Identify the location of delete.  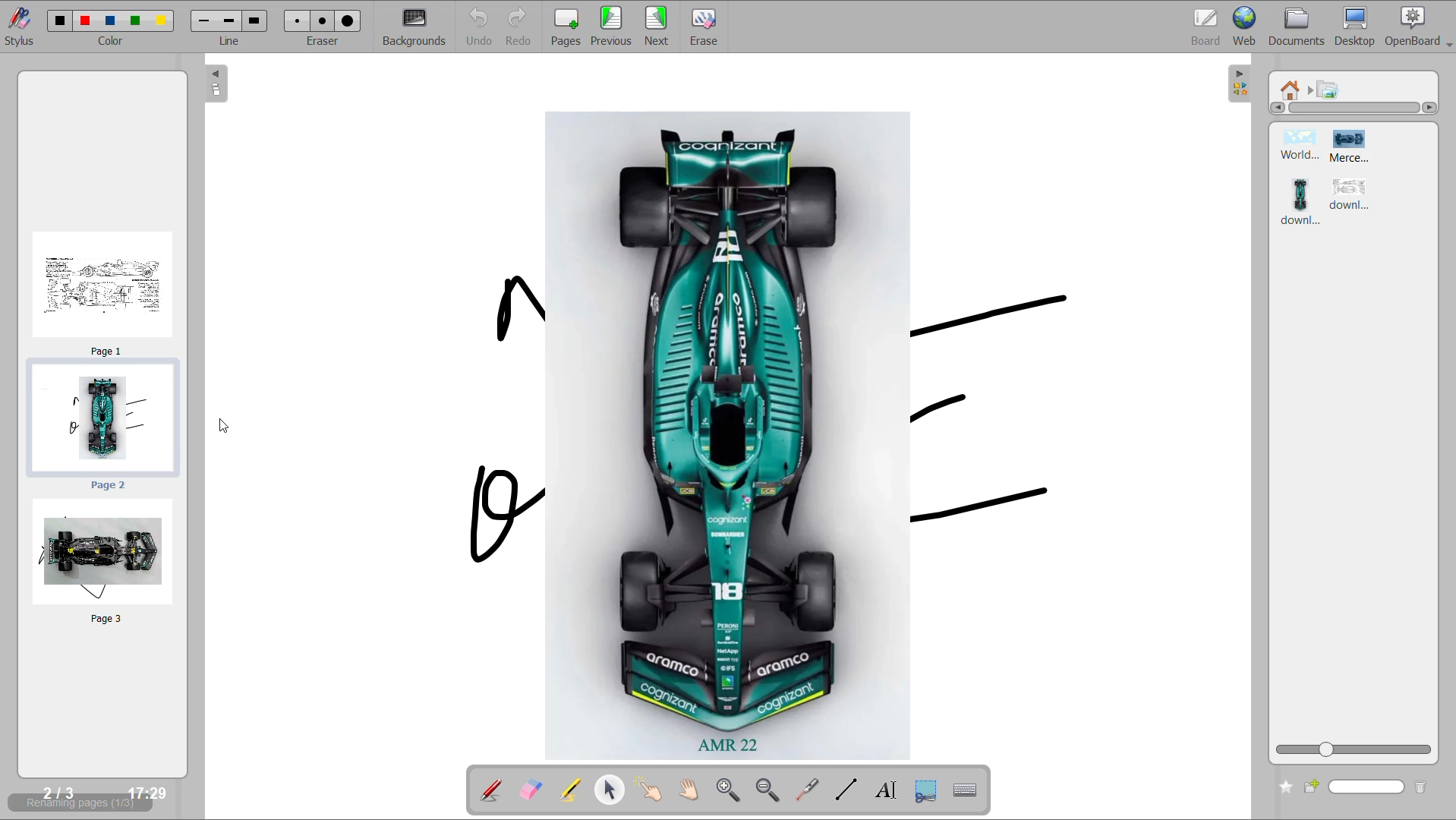
(1422, 787).